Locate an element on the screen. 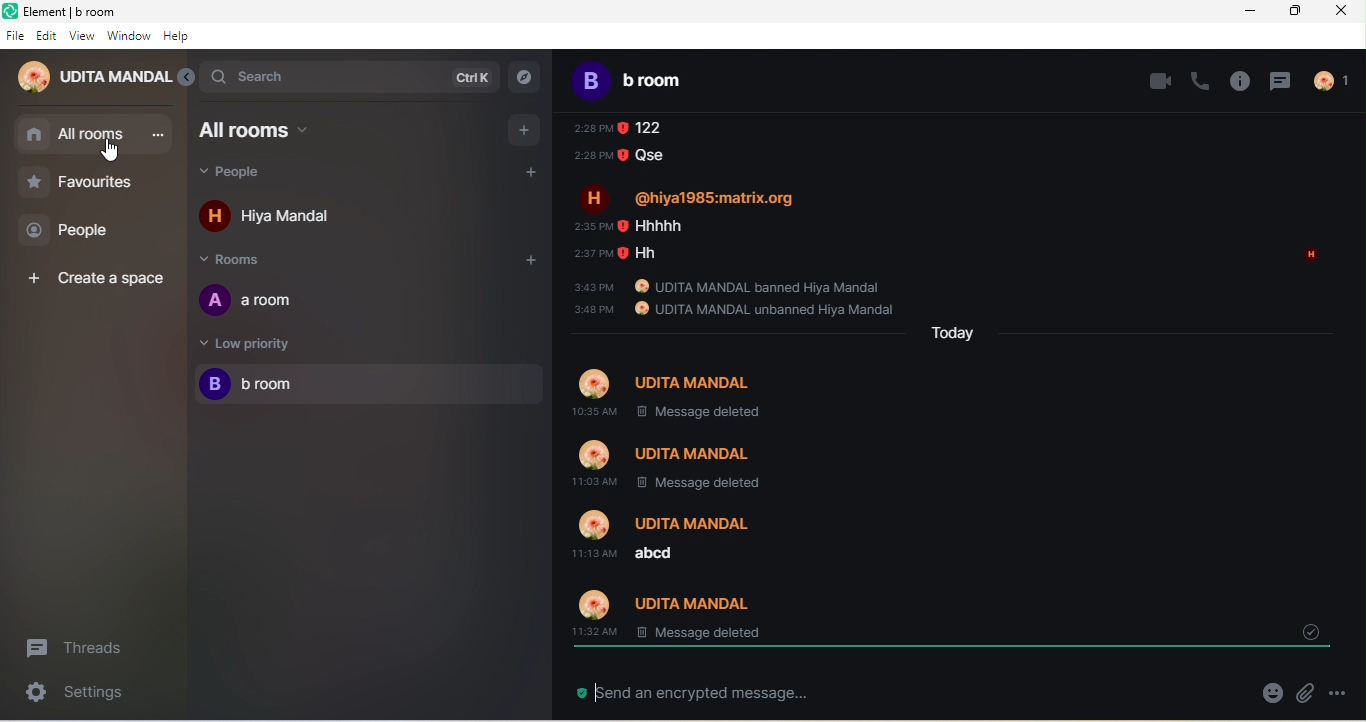  search is located at coordinates (351, 77).